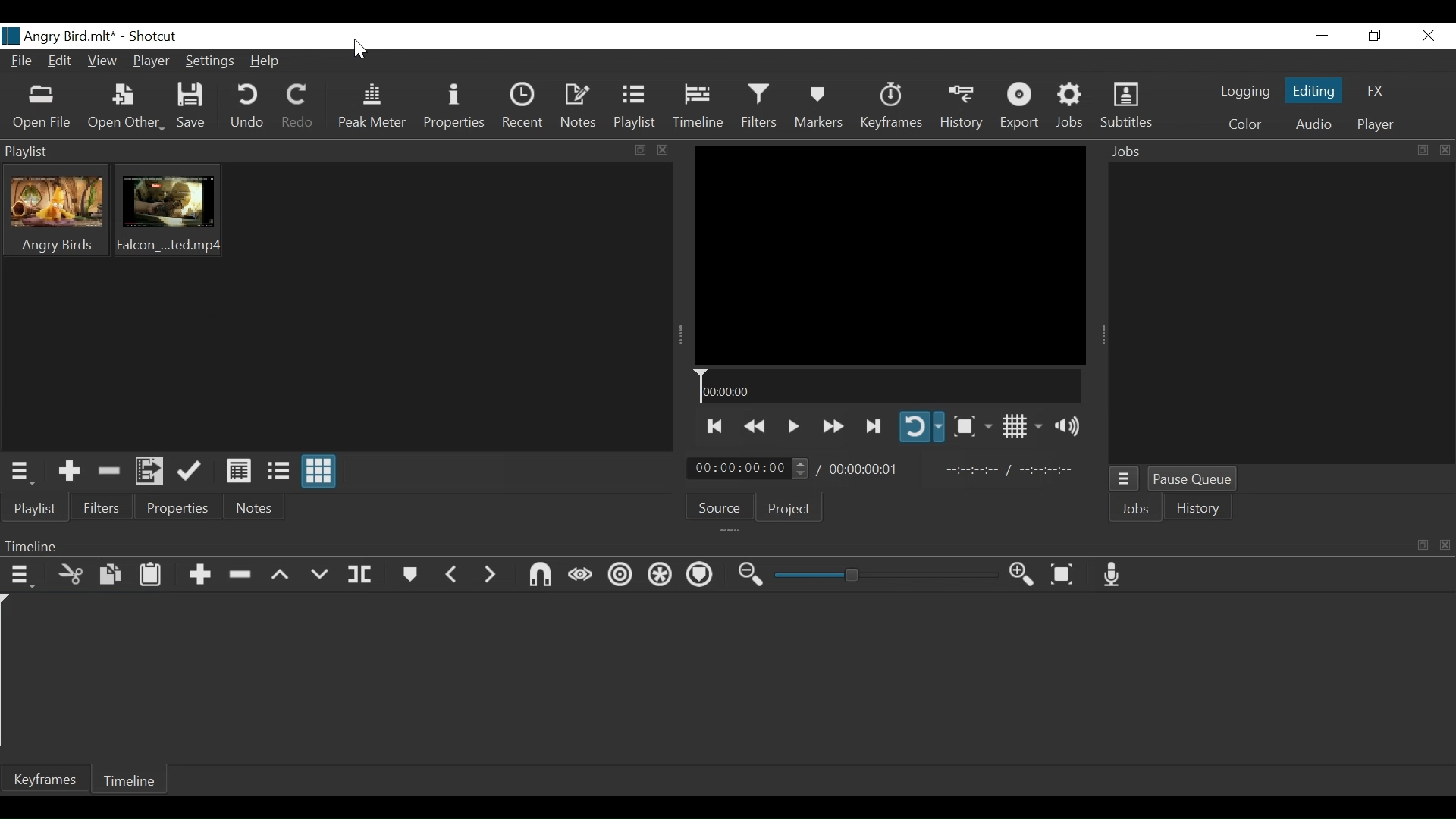 The width and height of the screenshot is (1456, 819). I want to click on Playlist, so click(337, 151).